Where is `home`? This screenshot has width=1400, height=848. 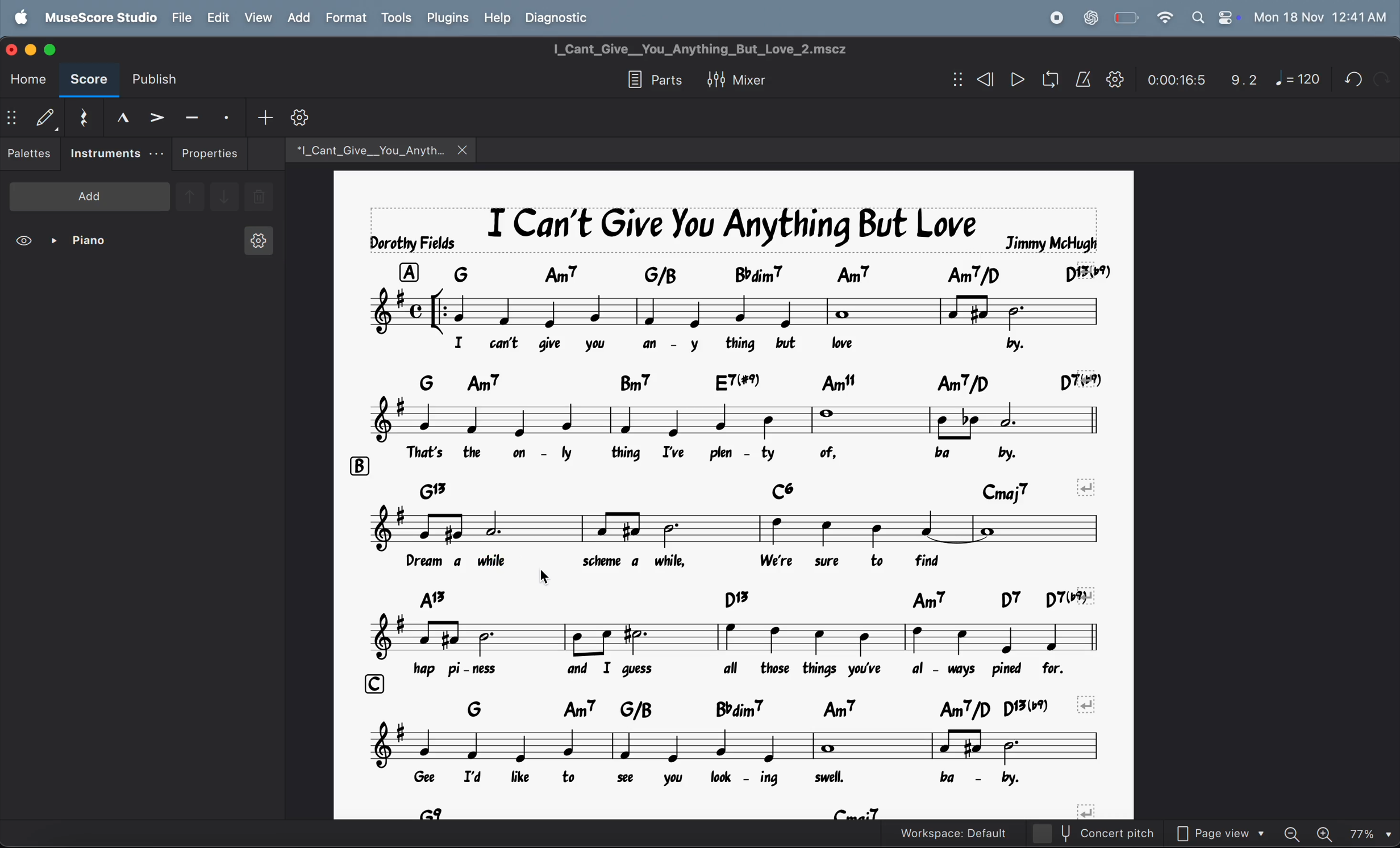 home is located at coordinates (28, 80).